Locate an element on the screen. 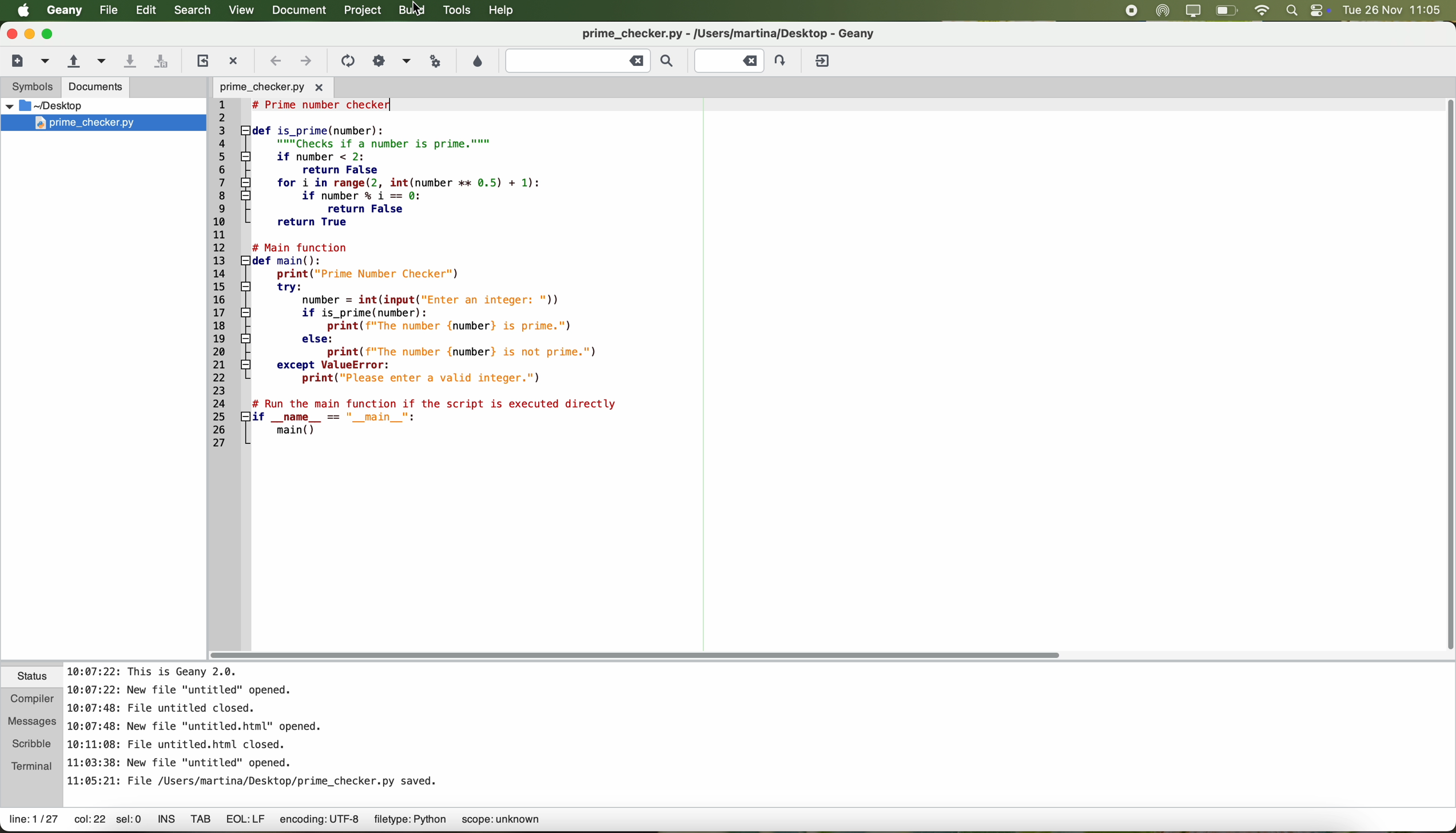 Image resolution: width=1456 pixels, height=833 pixels. save all open files is located at coordinates (164, 60).